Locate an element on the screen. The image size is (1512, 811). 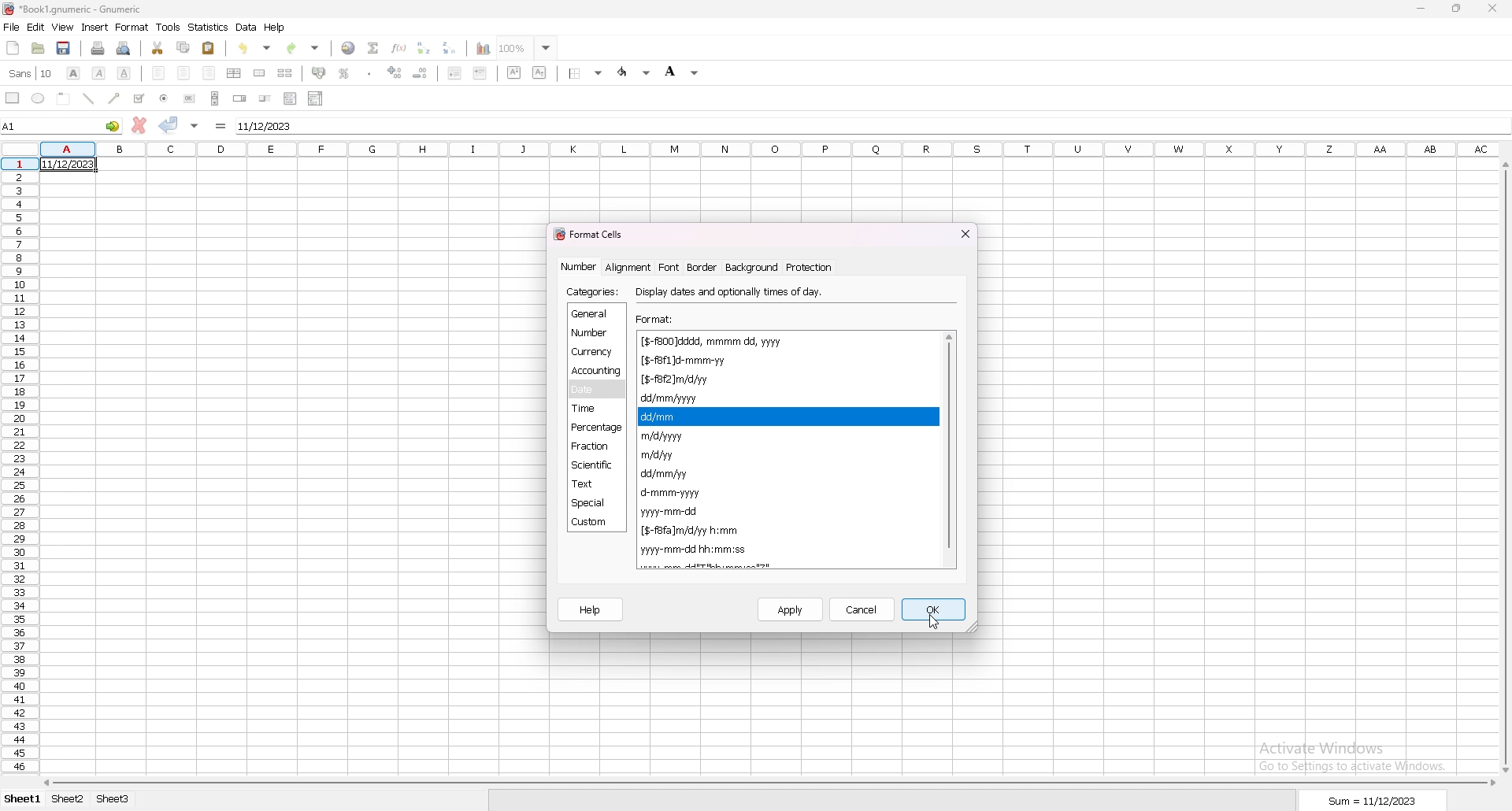
print preview is located at coordinates (124, 49).